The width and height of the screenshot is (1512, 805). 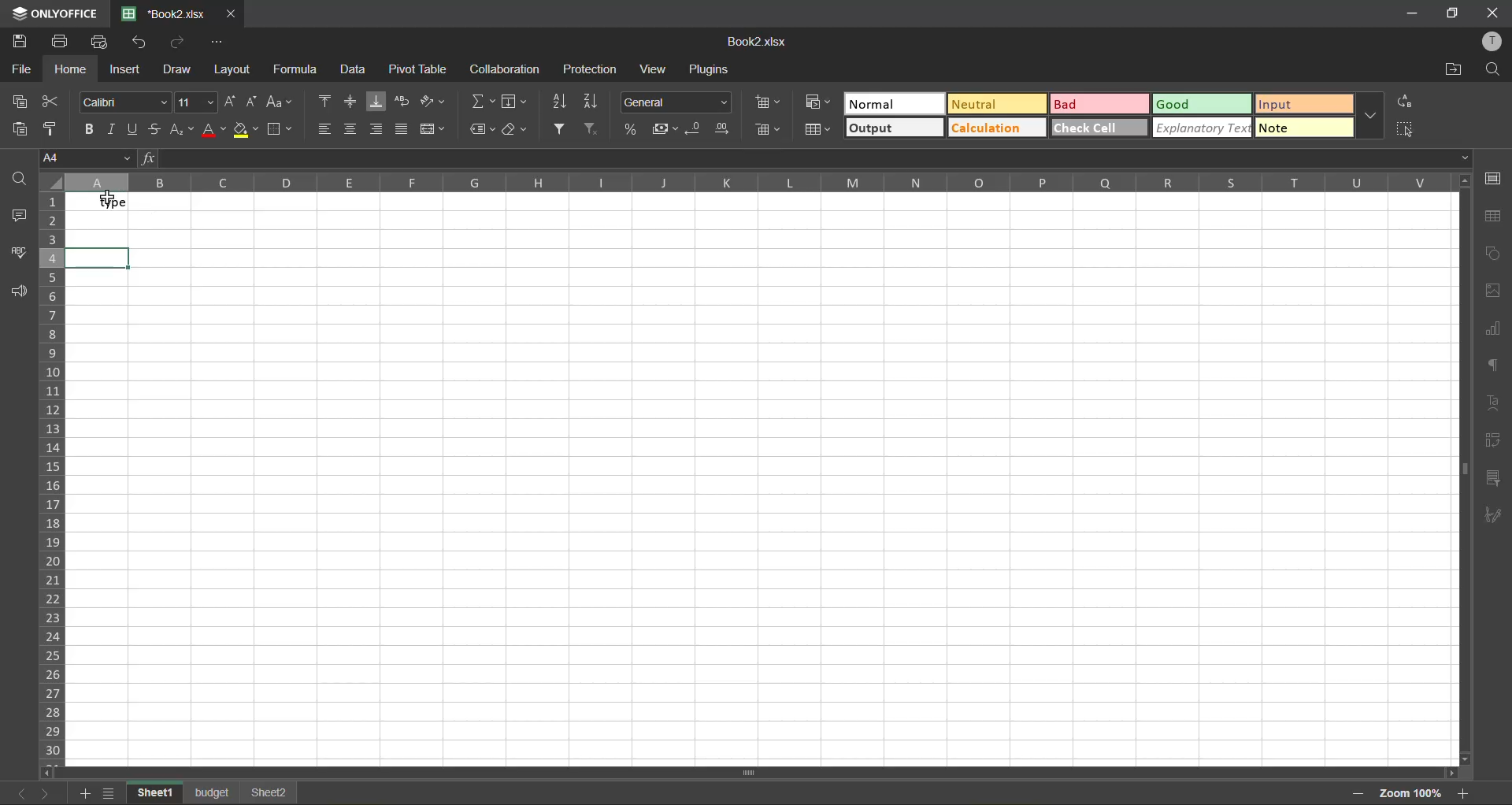 I want to click on replace, so click(x=1408, y=101).